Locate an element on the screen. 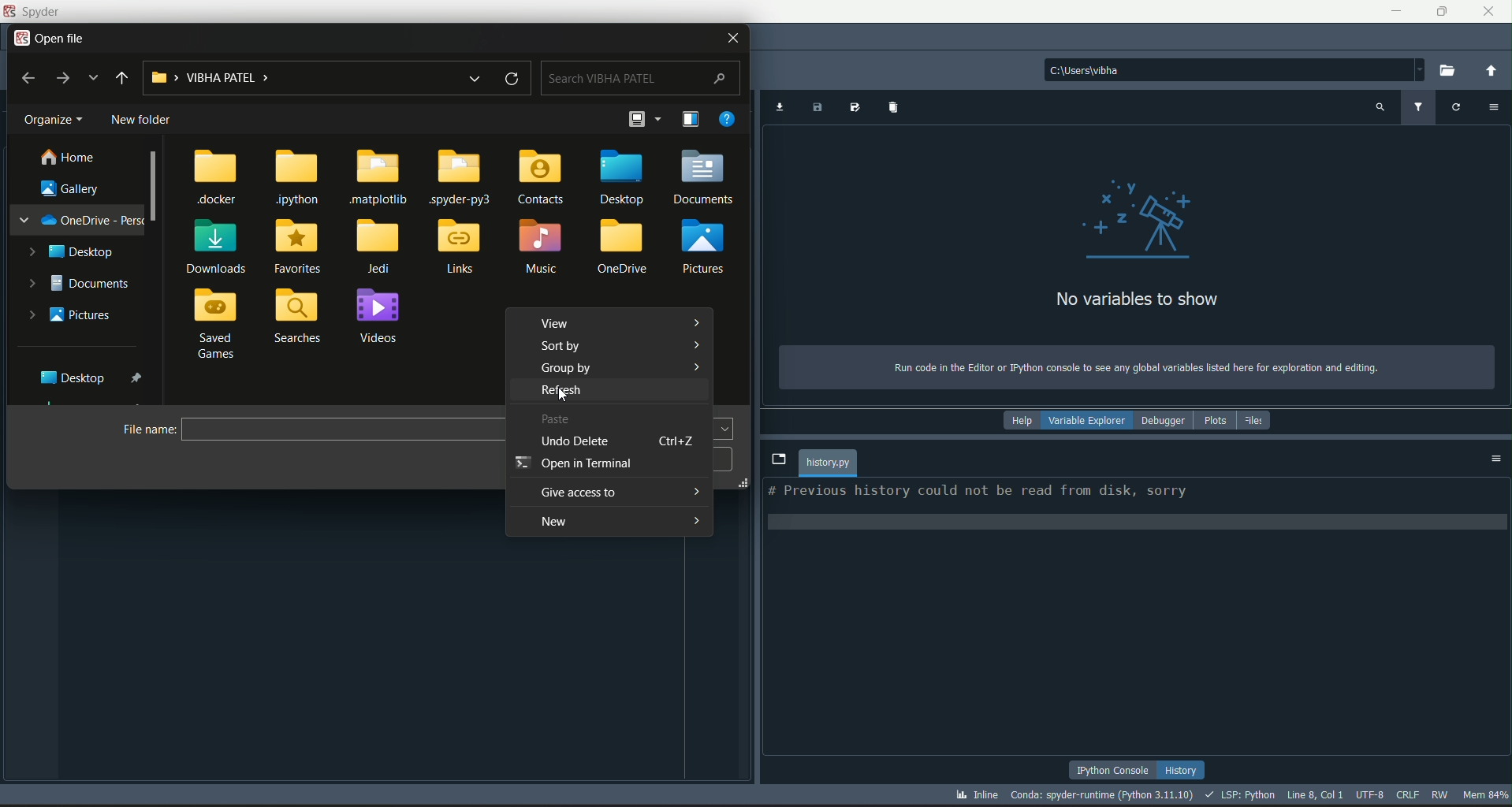  more options is located at coordinates (660, 117).